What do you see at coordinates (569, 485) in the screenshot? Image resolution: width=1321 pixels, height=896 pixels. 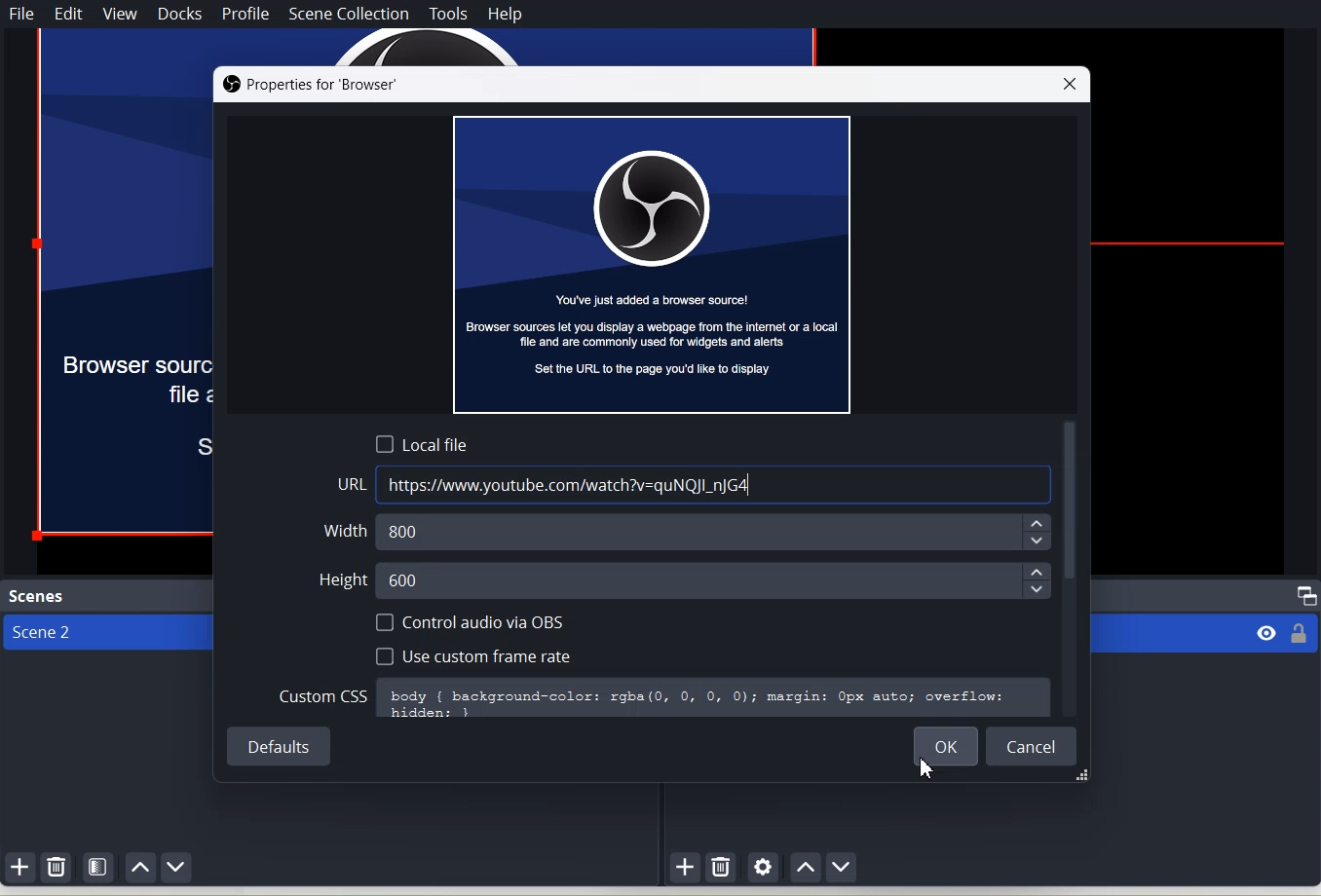 I see `https://www.youtube.com/watch?v=quNQJI_nJG4|` at bounding box center [569, 485].